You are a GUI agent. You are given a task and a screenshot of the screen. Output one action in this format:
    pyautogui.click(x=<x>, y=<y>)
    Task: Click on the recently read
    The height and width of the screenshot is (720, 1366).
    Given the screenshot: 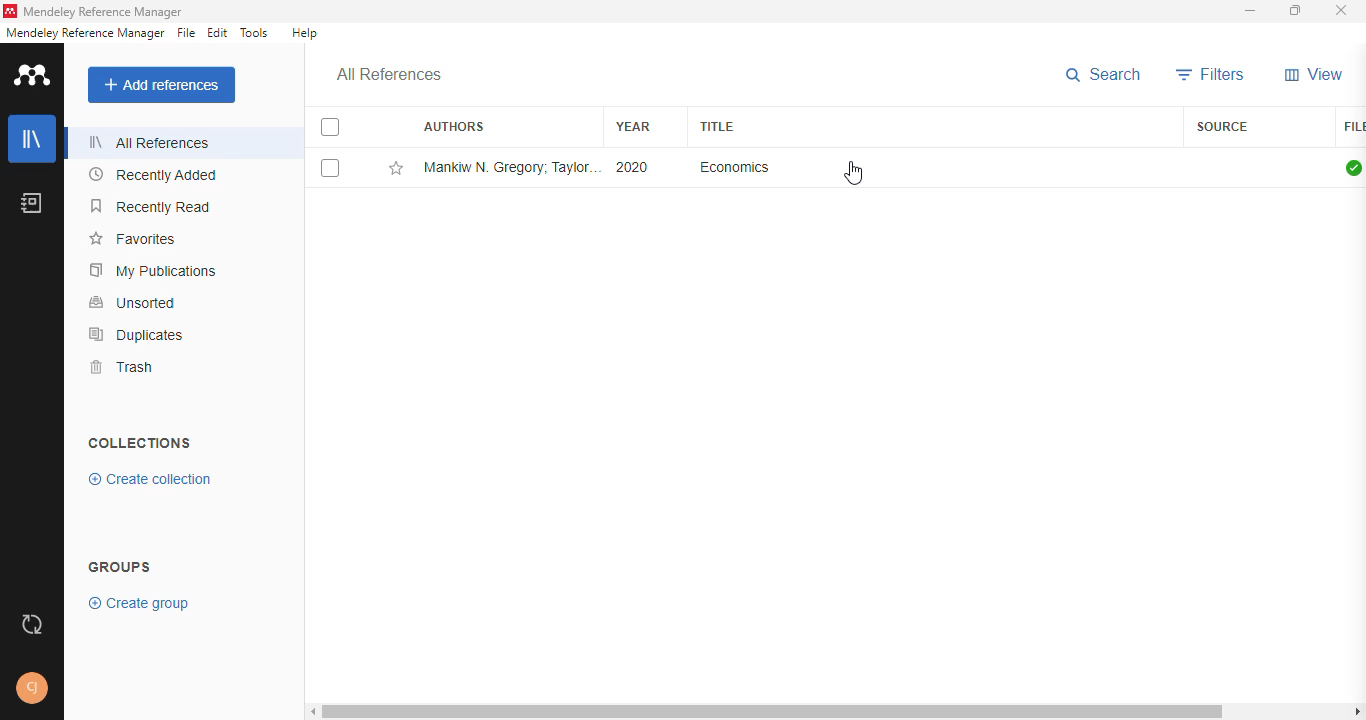 What is the action you would take?
    pyautogui.click(x=152, y=207)
    